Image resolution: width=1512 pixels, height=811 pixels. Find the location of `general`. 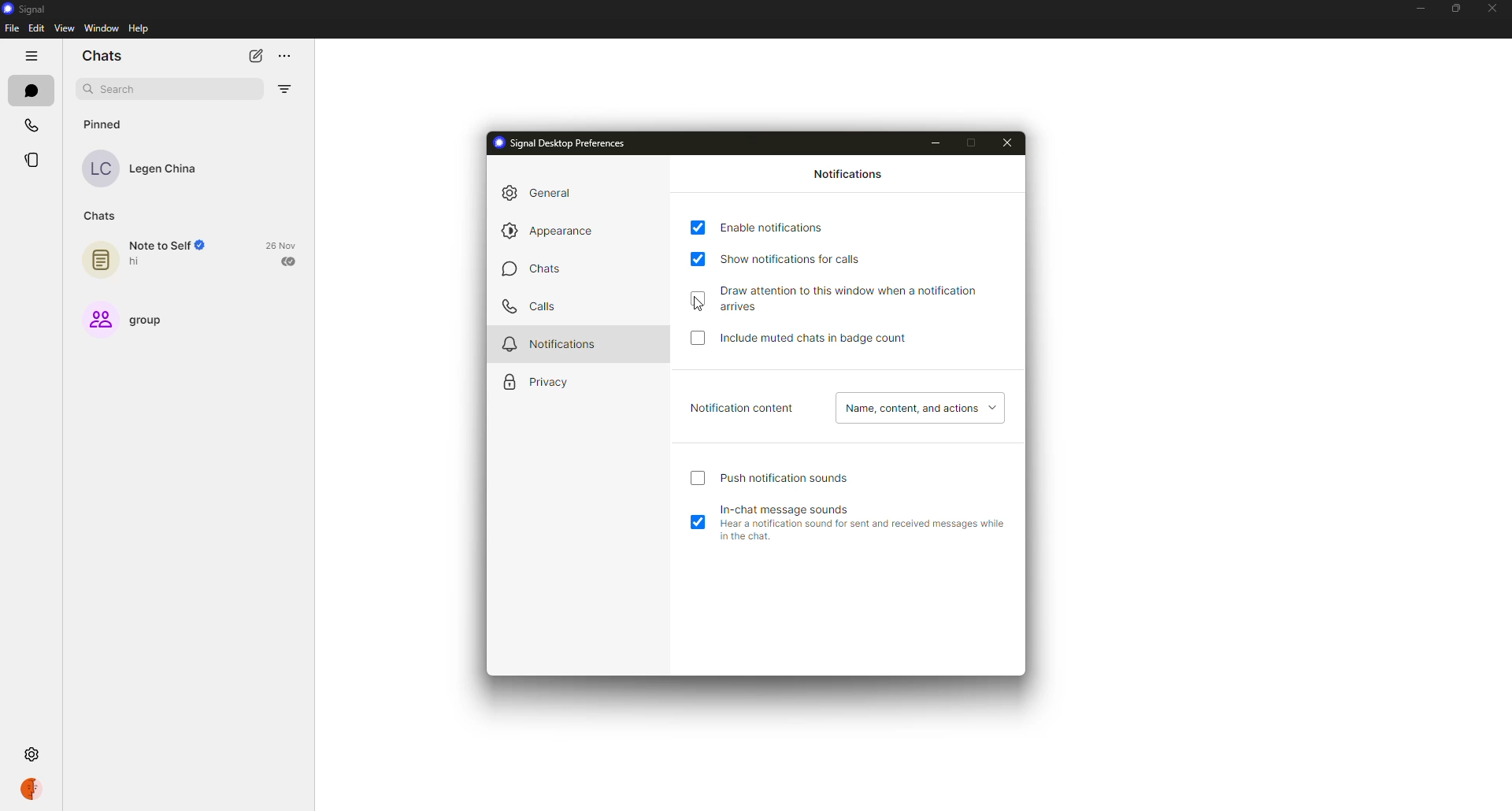

general is located at coordinates (543, 192).